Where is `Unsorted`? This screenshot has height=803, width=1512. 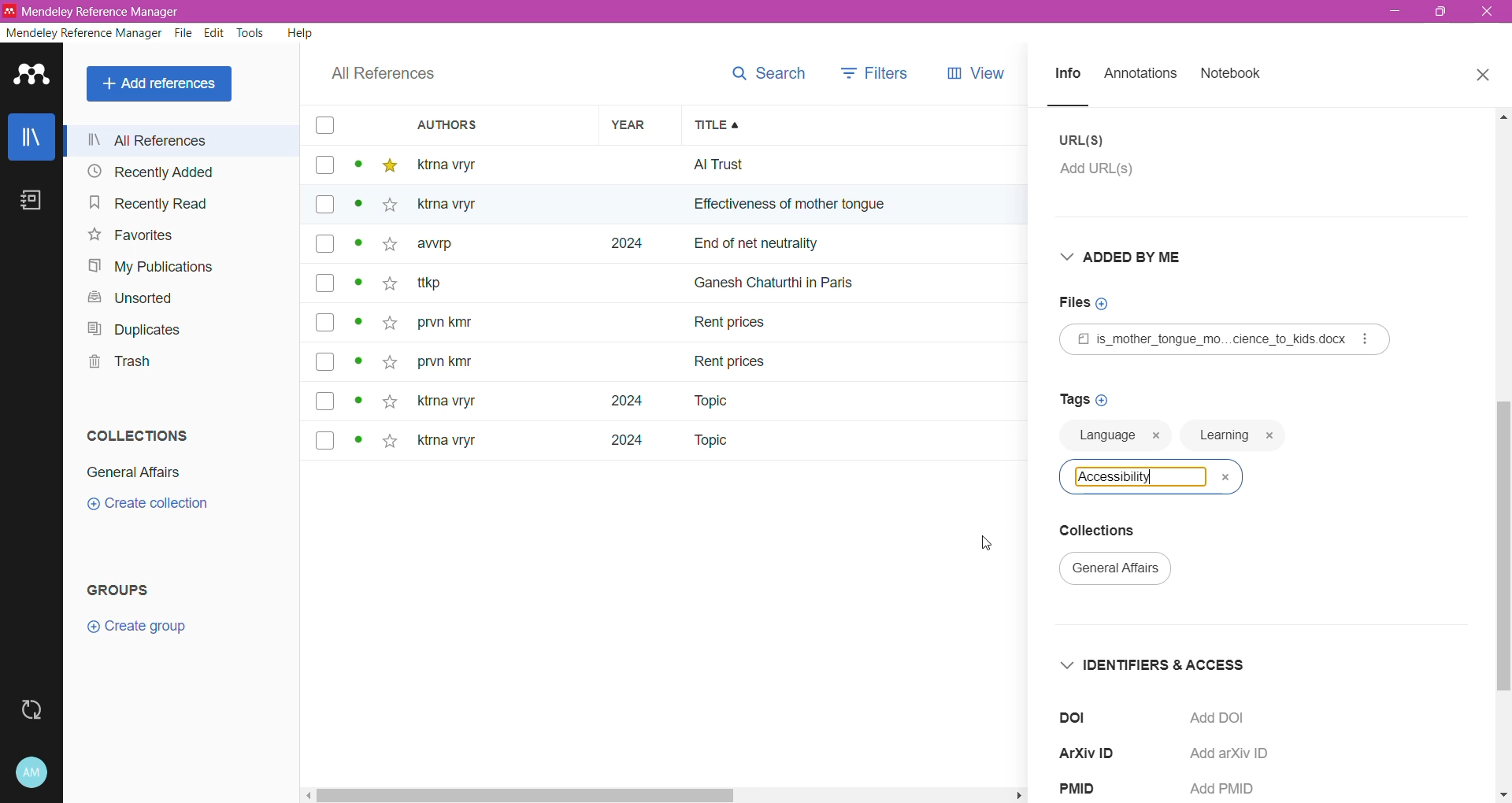 Unsorted is located at coordinates (136, 299).